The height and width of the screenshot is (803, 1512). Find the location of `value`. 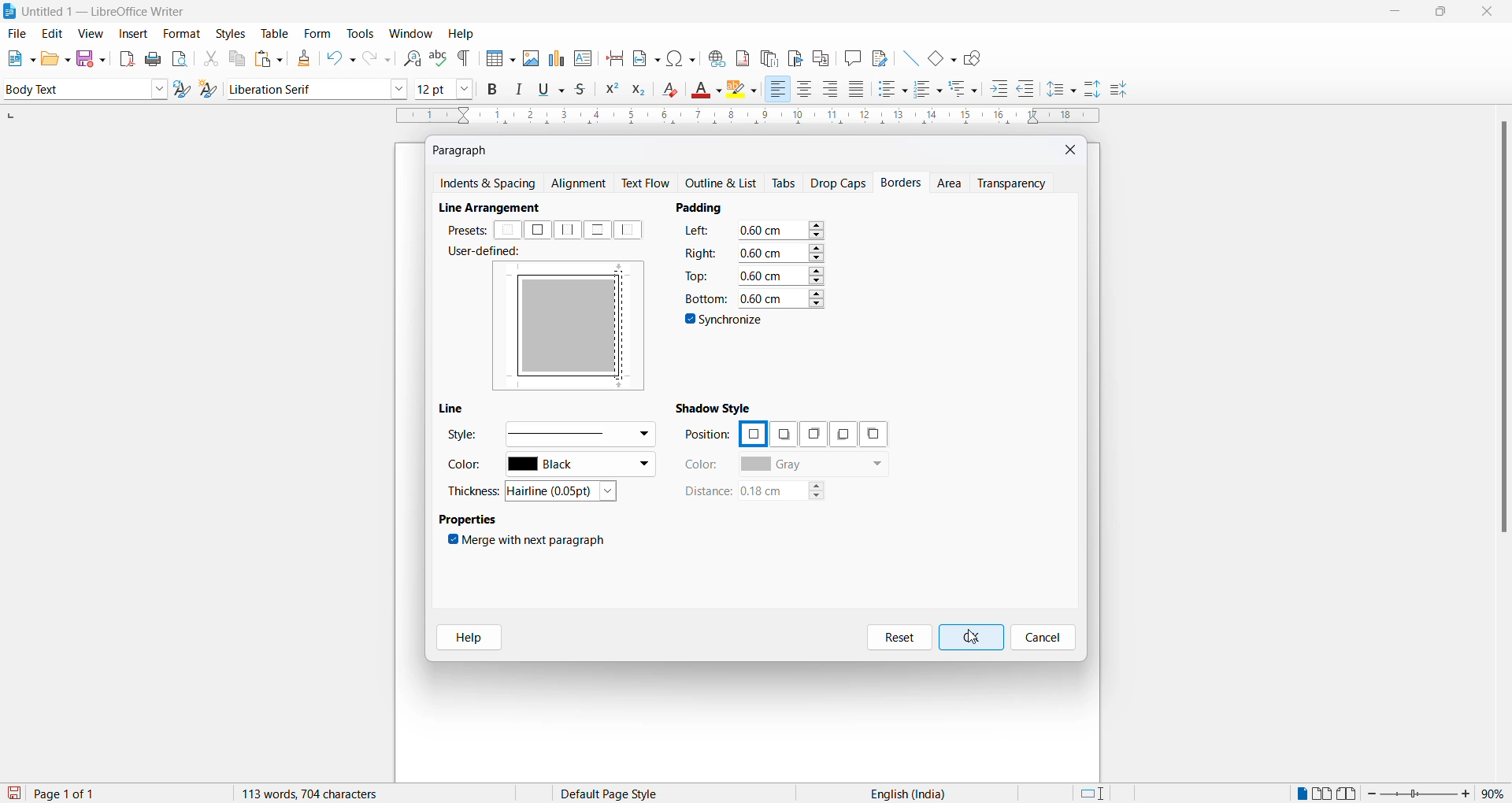

value is located at coordinates (781, 230).